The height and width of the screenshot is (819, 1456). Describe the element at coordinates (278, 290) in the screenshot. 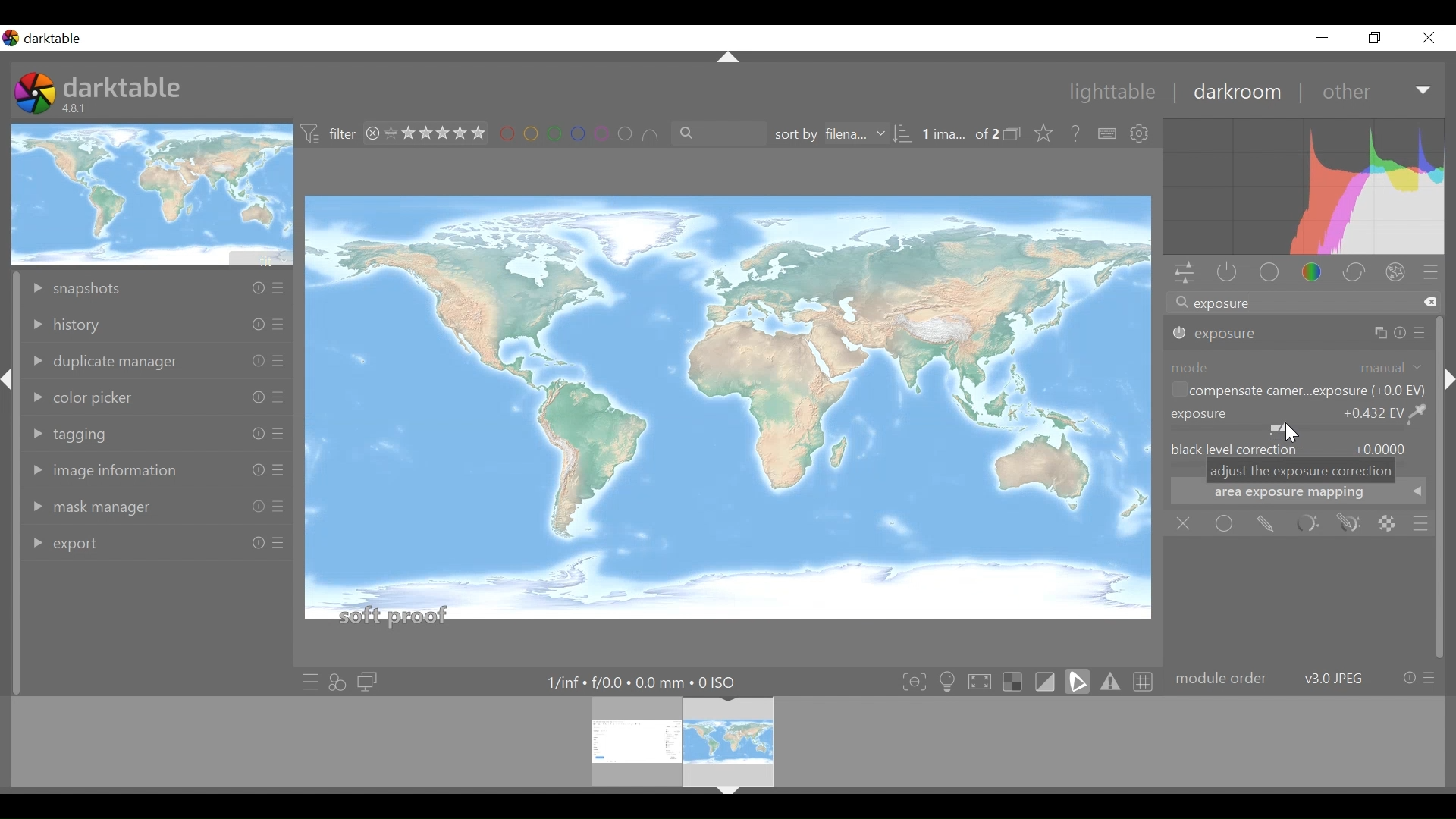

I see `` at that location.